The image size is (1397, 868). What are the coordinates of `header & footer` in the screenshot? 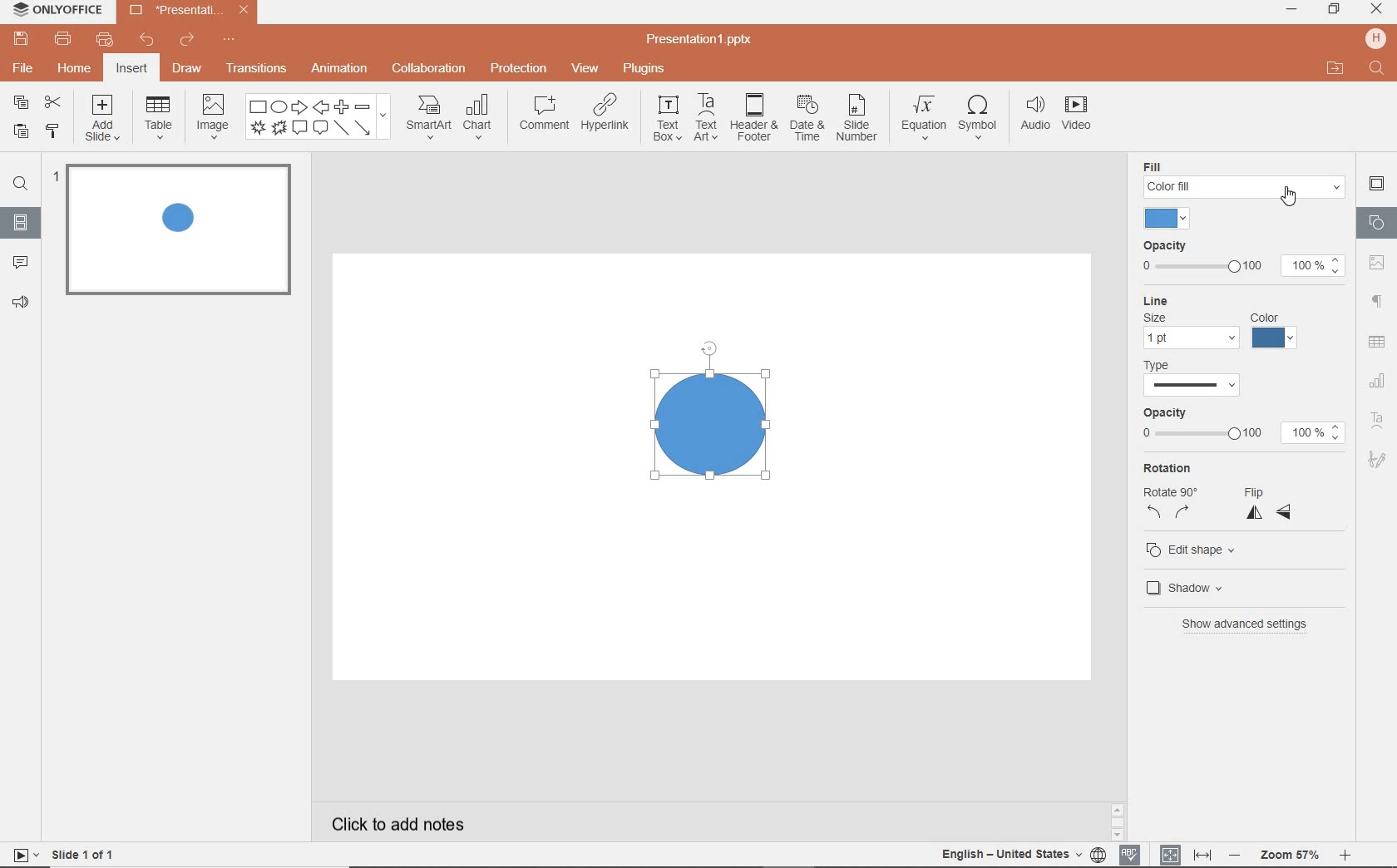 It's located at (754, 120).